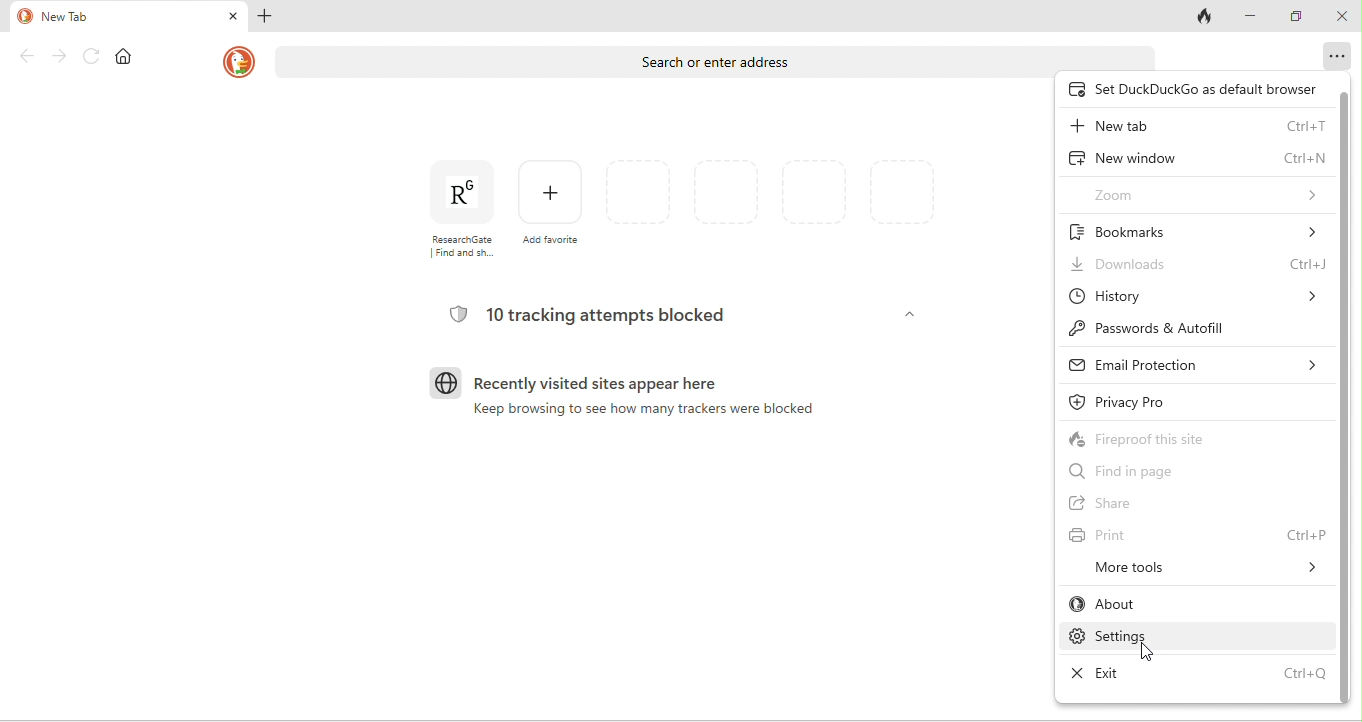  I want to click on about, so click(1139, 604).